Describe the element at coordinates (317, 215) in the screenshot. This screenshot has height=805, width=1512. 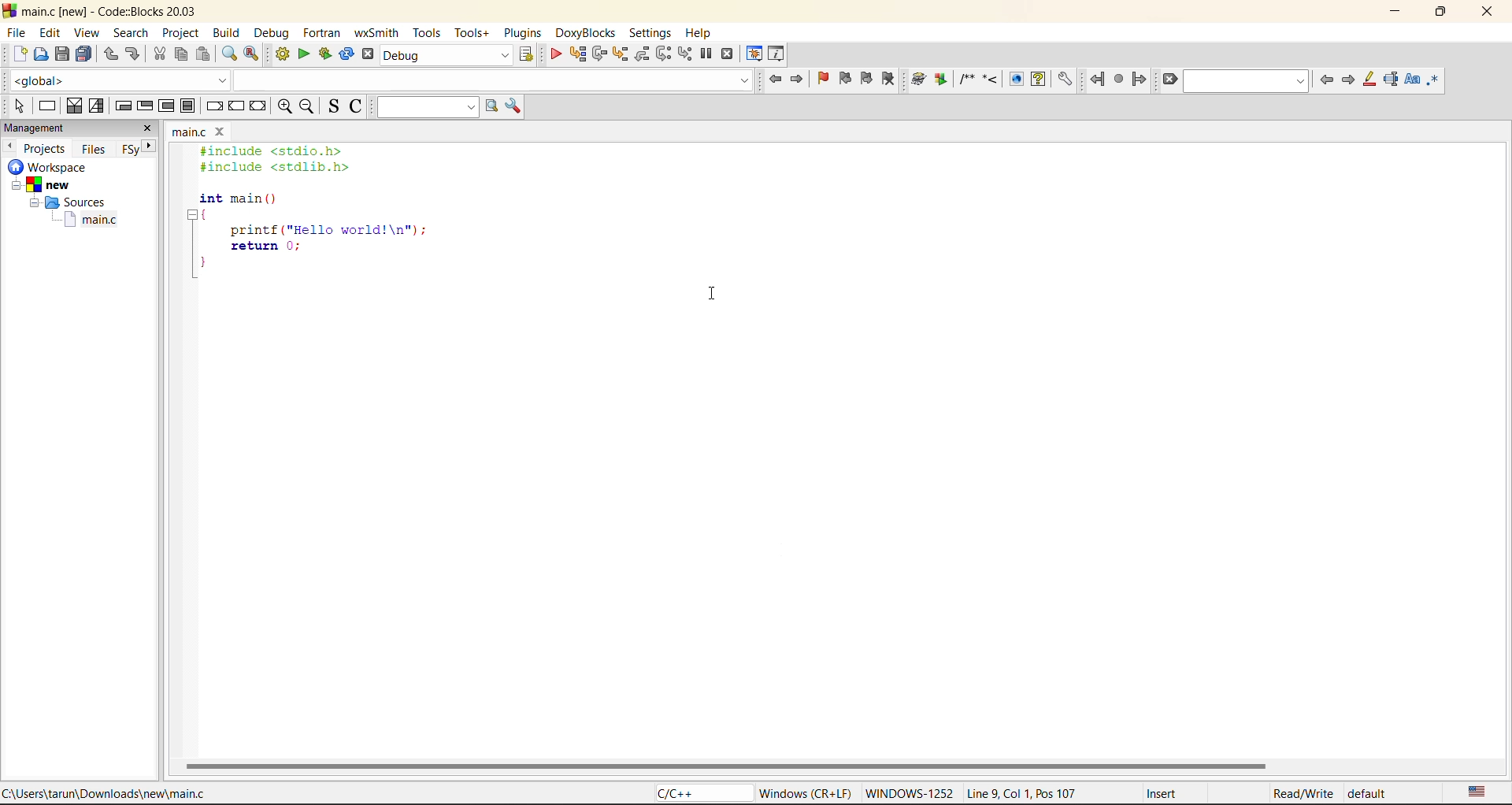
I see `#include <stdio.h>

#include <stdlib.h>

int main ()

{
printf ("Hello world!\n");
return 0;

}` at that location.